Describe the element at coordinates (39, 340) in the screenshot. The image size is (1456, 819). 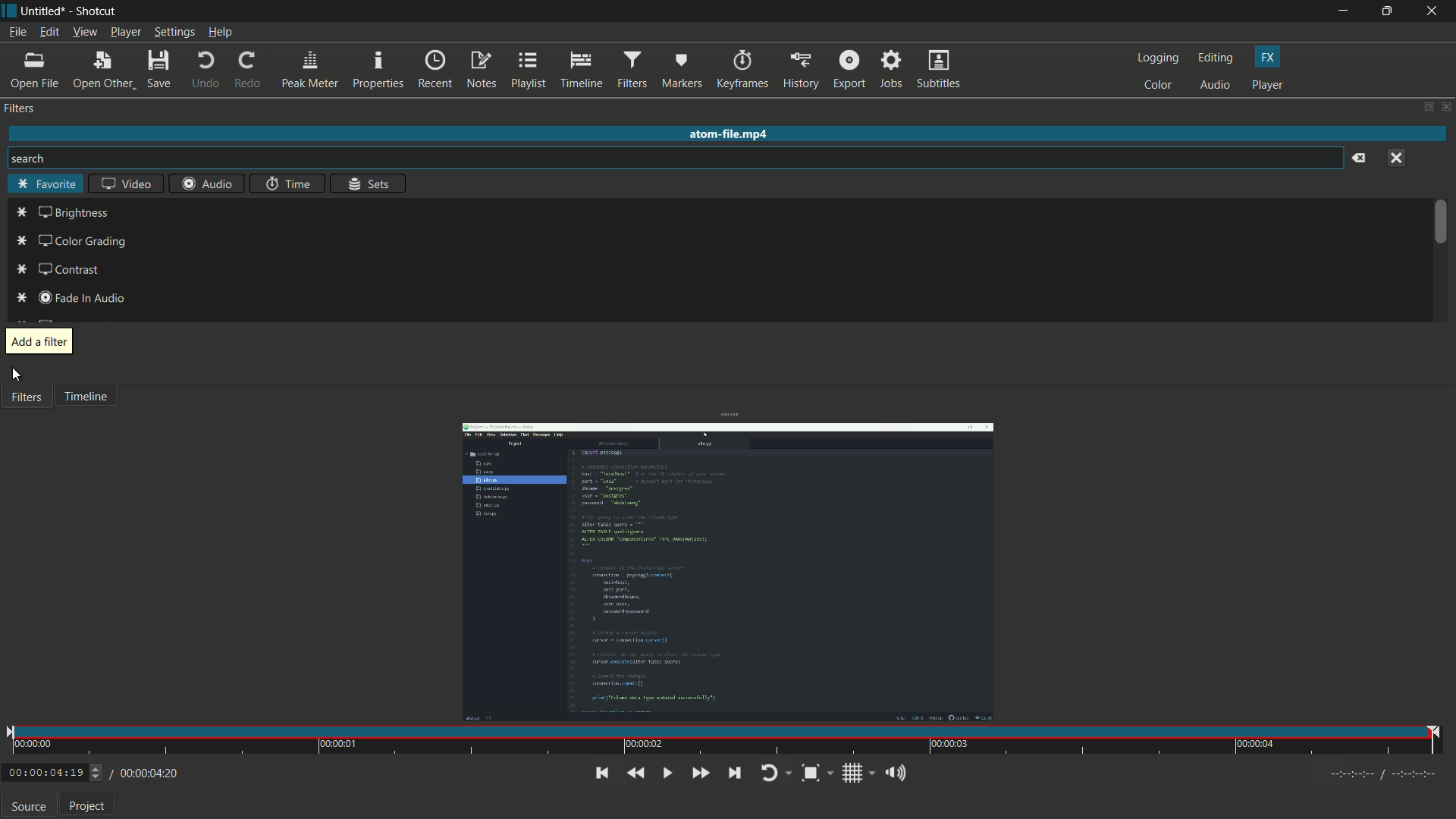
I see `add a filter pop up` at that location.